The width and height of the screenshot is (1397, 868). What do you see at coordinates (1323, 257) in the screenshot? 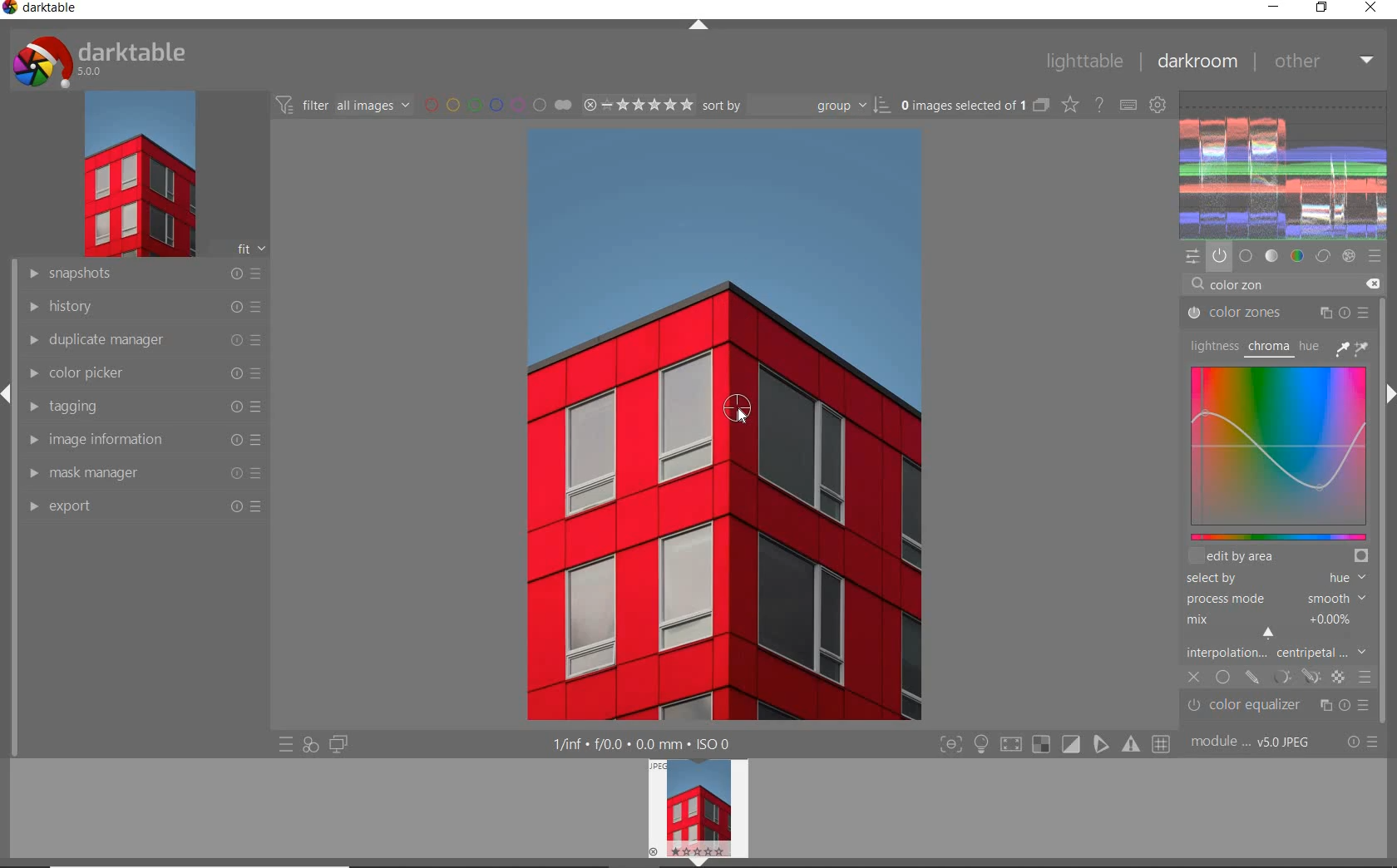
I see `correct` at bounding box center [1323, 257].